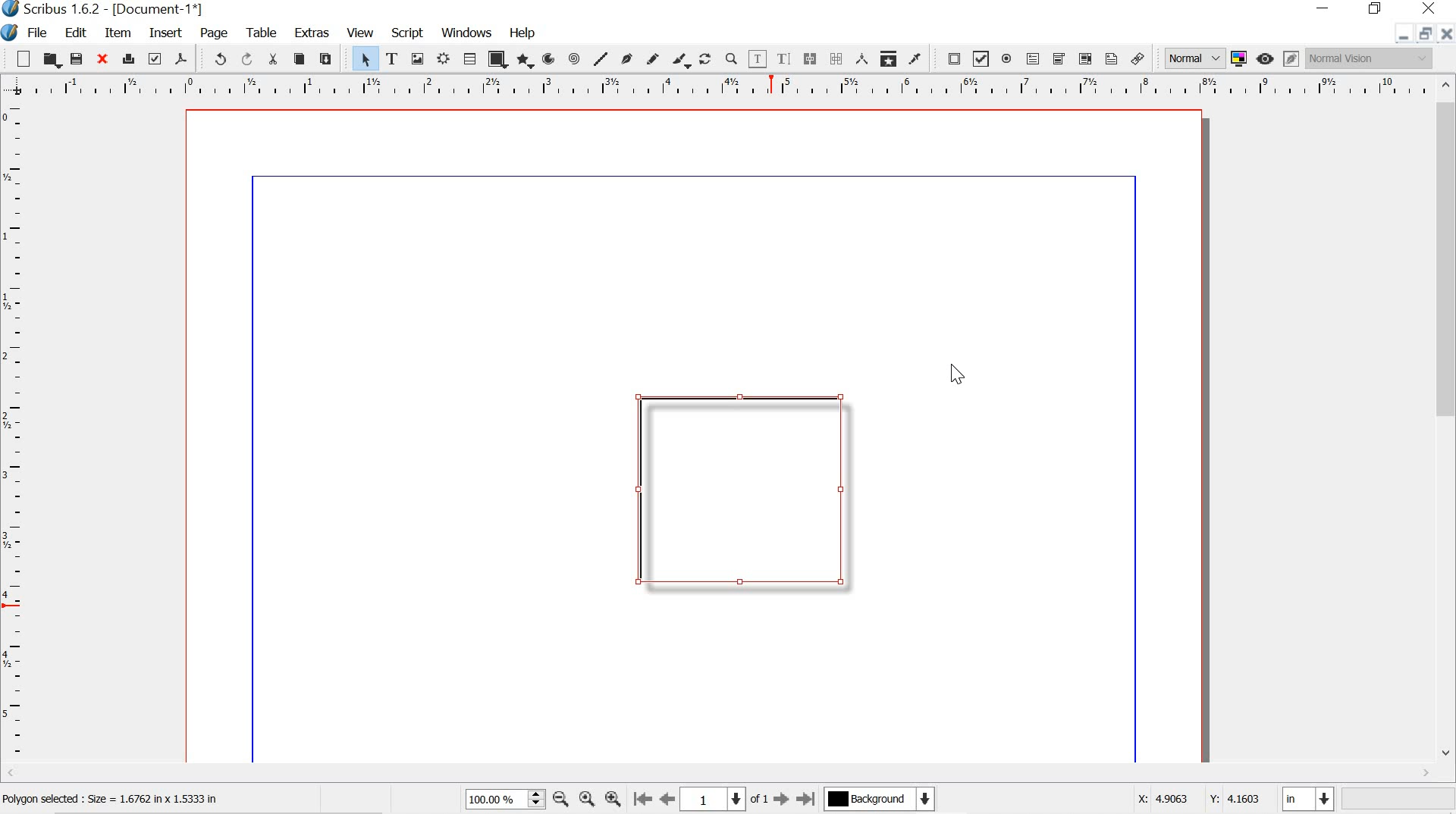  I want to click on measurements, so click(859, 58).